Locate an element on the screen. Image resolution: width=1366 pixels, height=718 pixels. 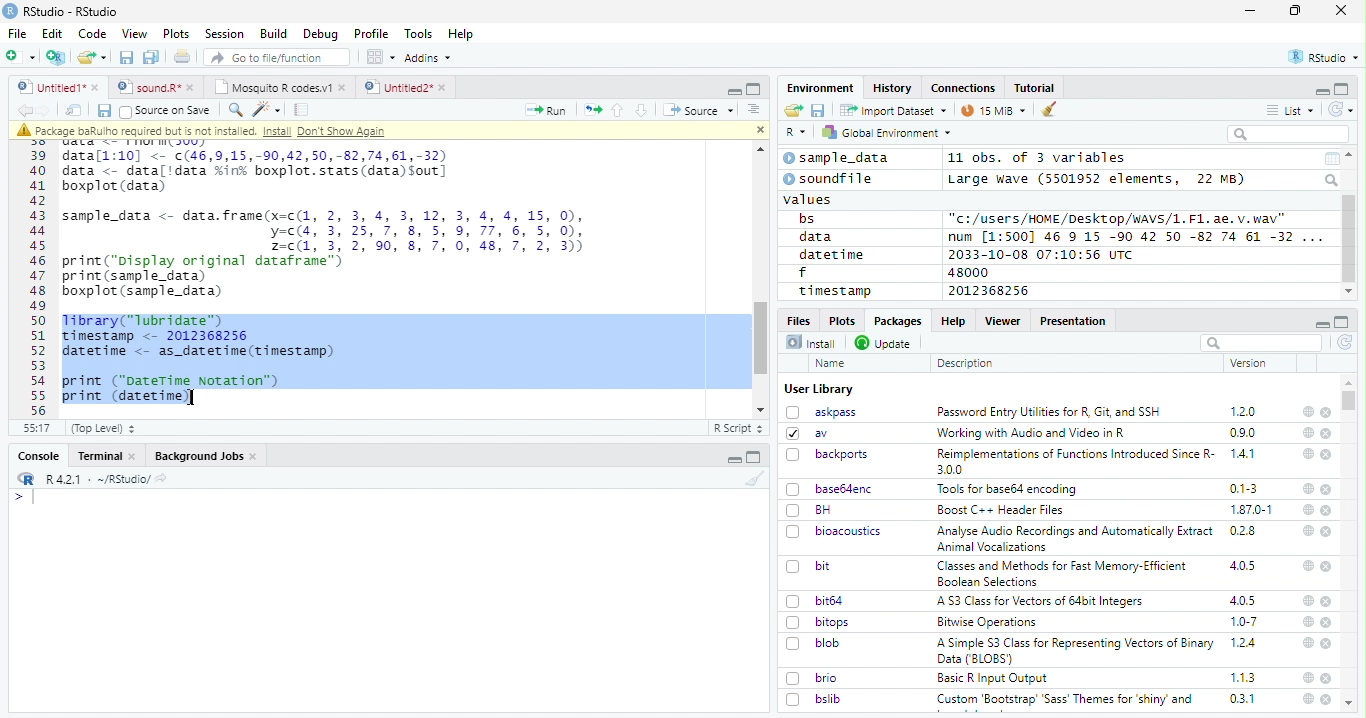
scroll down is located at coordinates (762, 410).